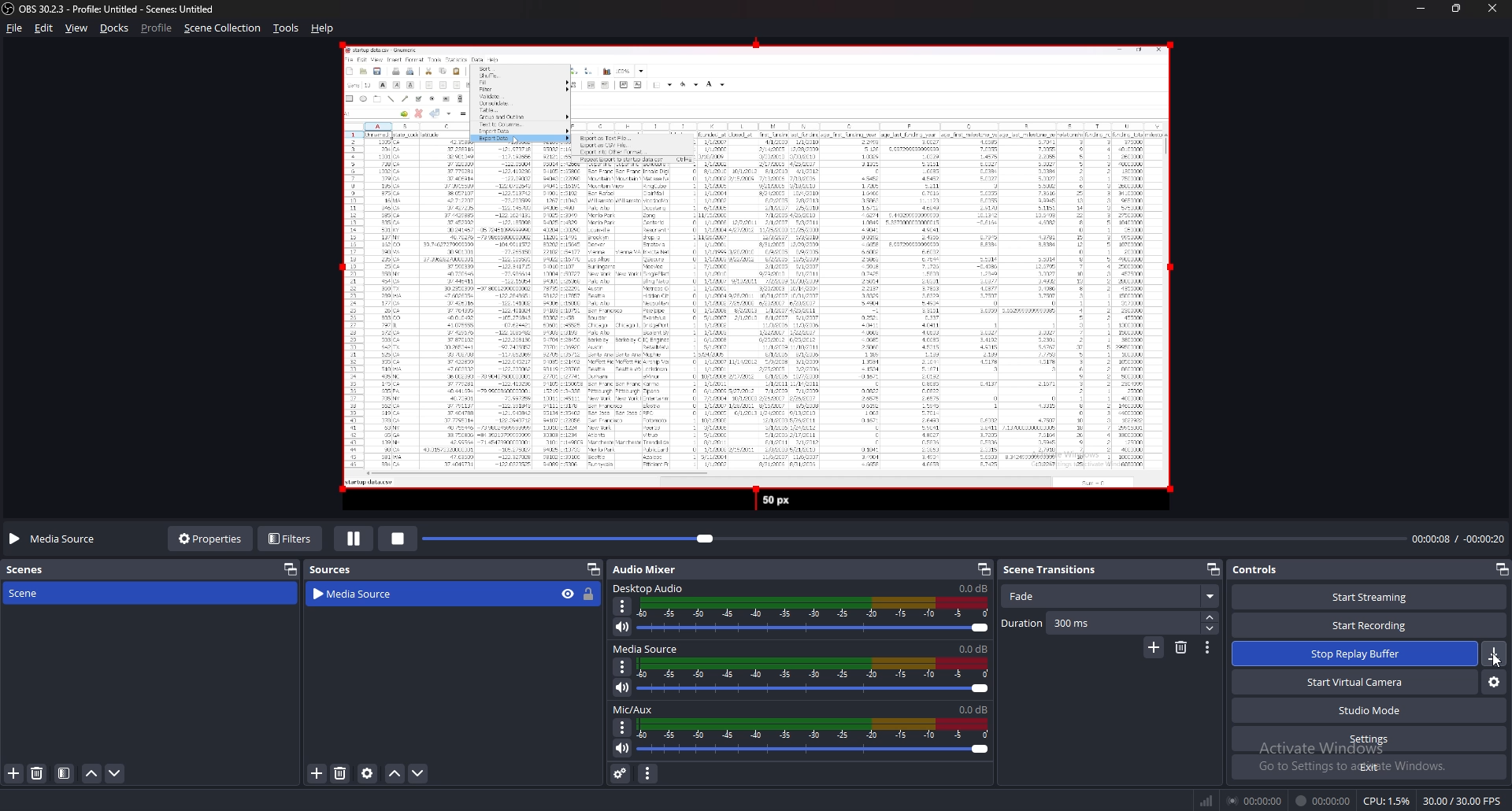 The image size is (1512, 811). What do you see at coordinates (92, 774) in the screenshot?
I see `move scene up` at bounding box center [92, 774].